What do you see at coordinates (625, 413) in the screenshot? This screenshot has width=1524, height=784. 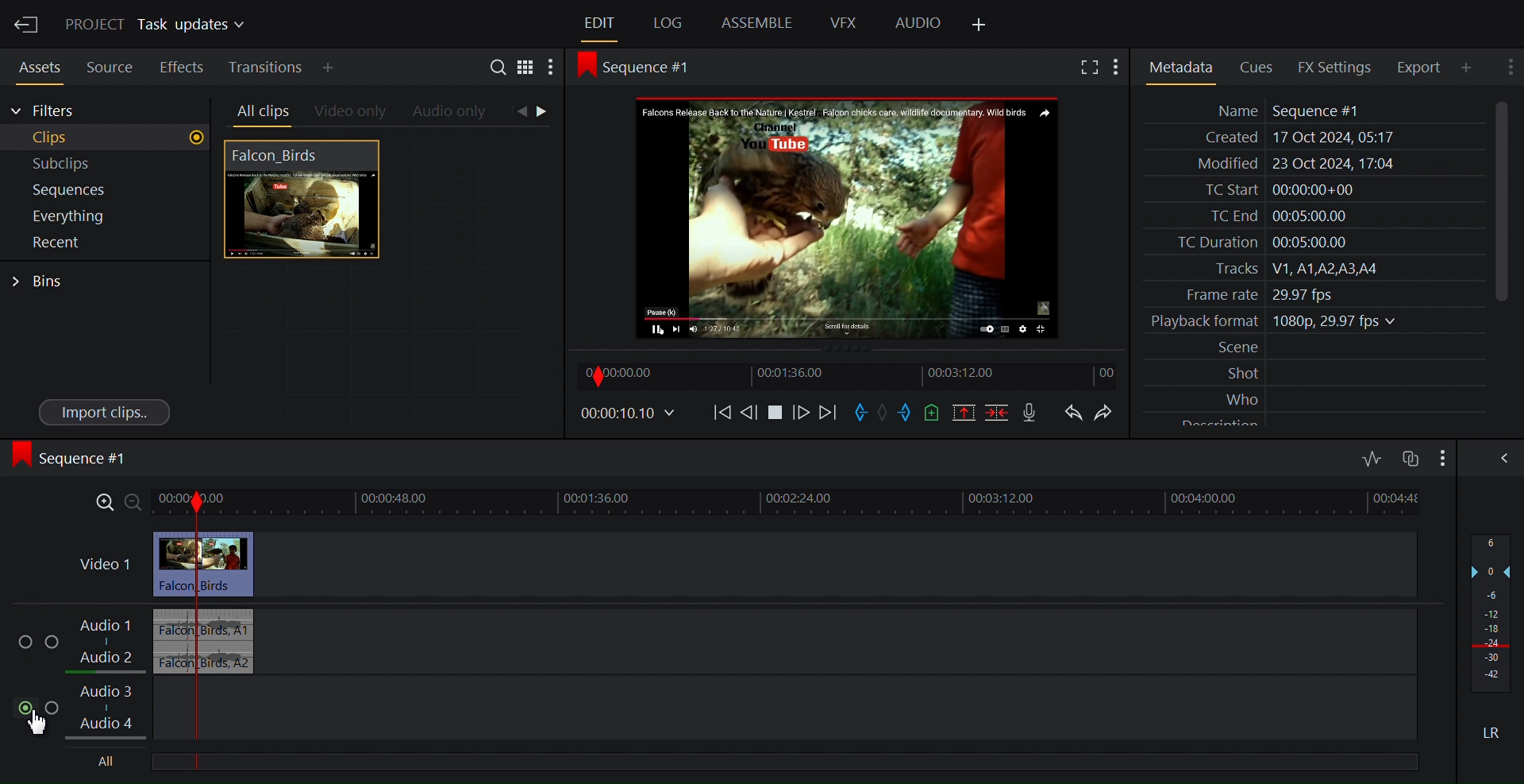 I see `Timecodes and reels` at bounding box center [625, 413].